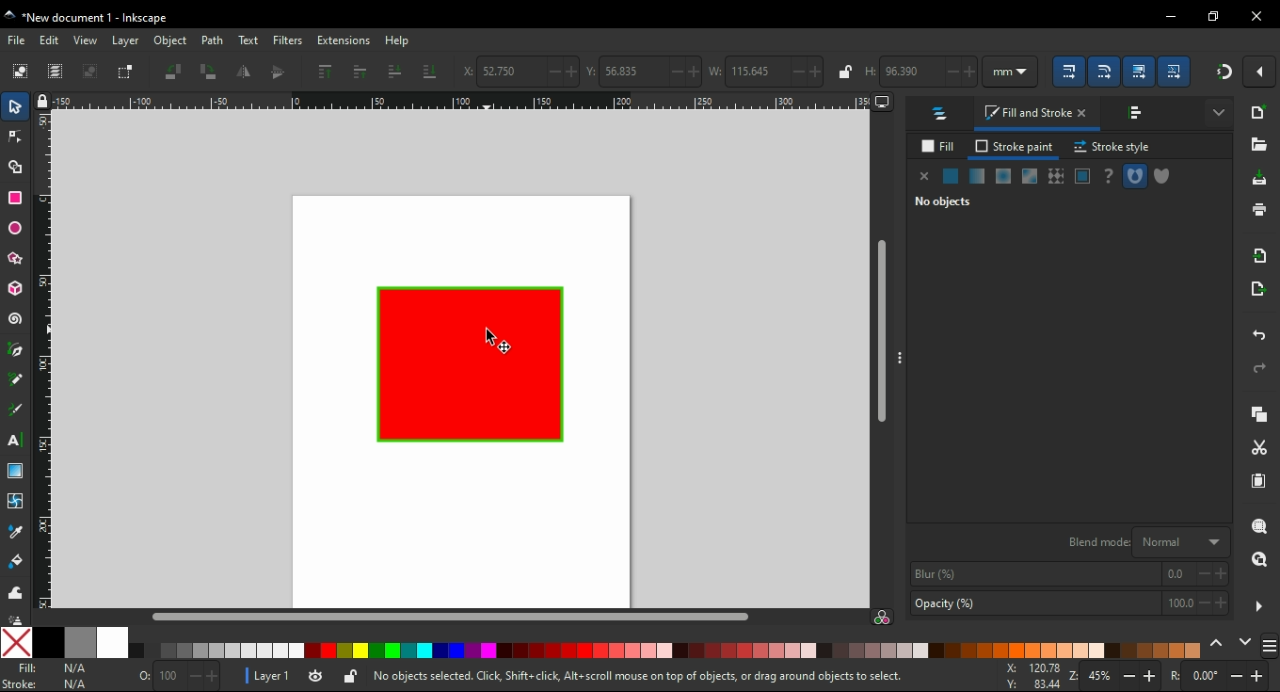  What do you see at coordinates (641, 677) in the screenshot?
I see `no objects selected` at bounding box center [641, 677].